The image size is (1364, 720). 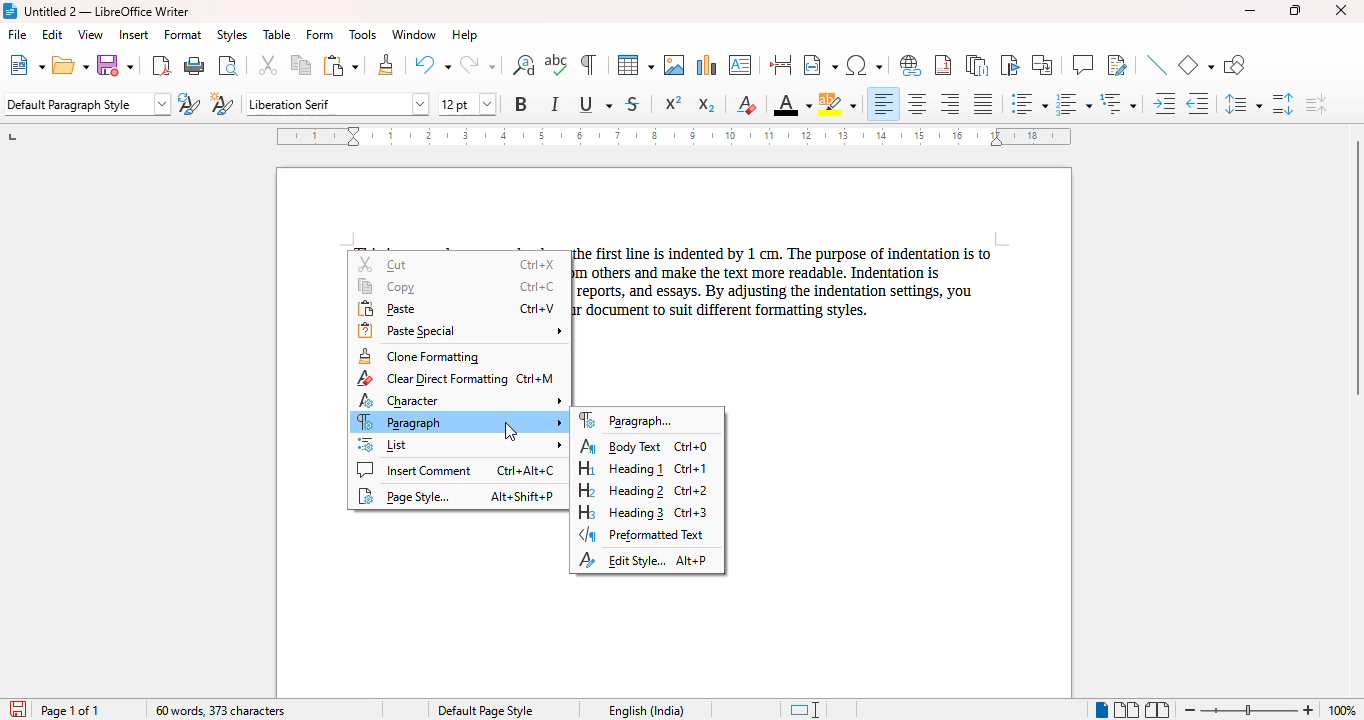 What do you see at coordinates (635, 65) in the screenshot?
I see `table` at bounding box center [635, 65].